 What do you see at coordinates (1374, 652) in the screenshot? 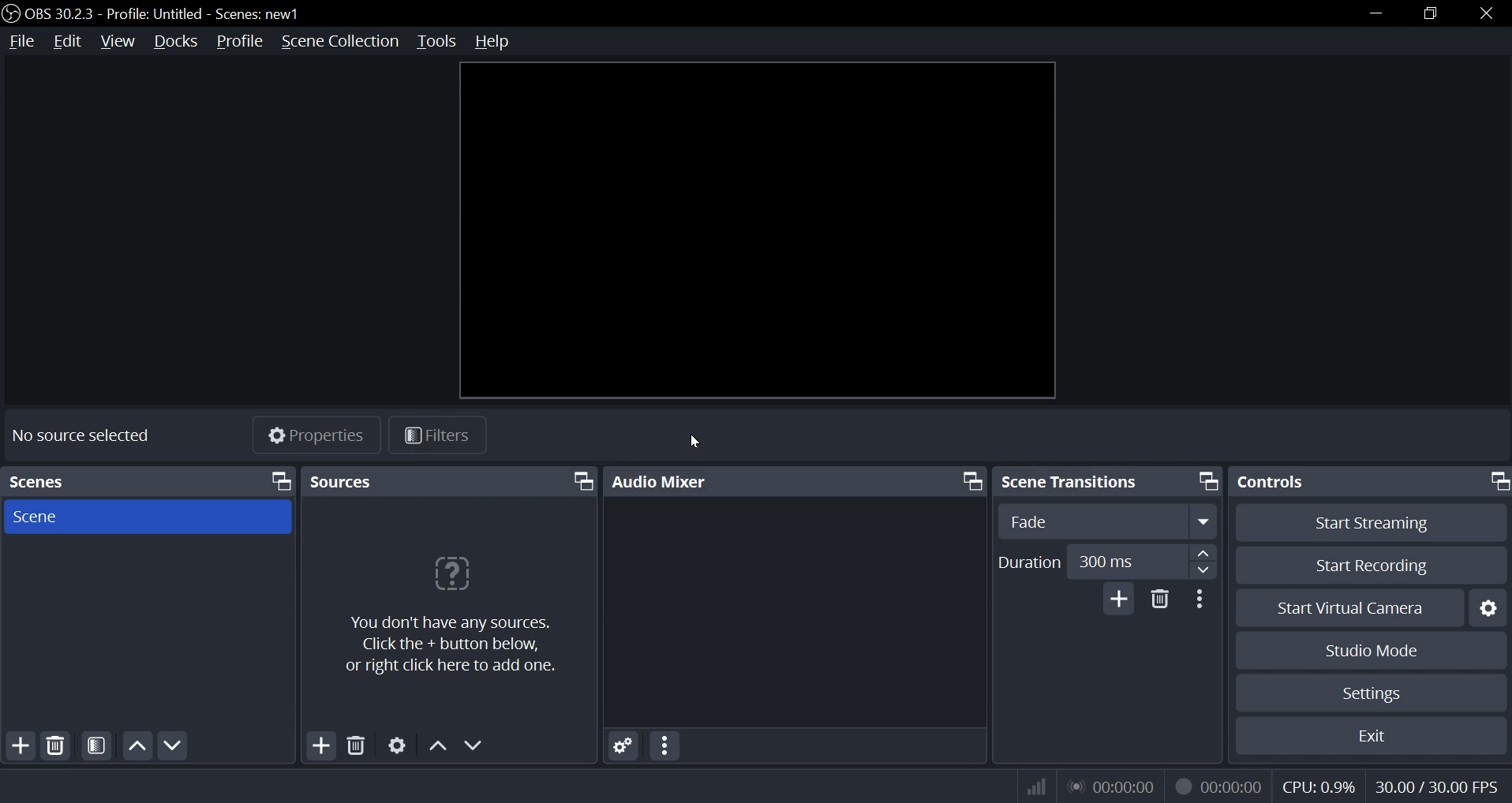
I see `studio mode` at bounding box center [1374, 652].